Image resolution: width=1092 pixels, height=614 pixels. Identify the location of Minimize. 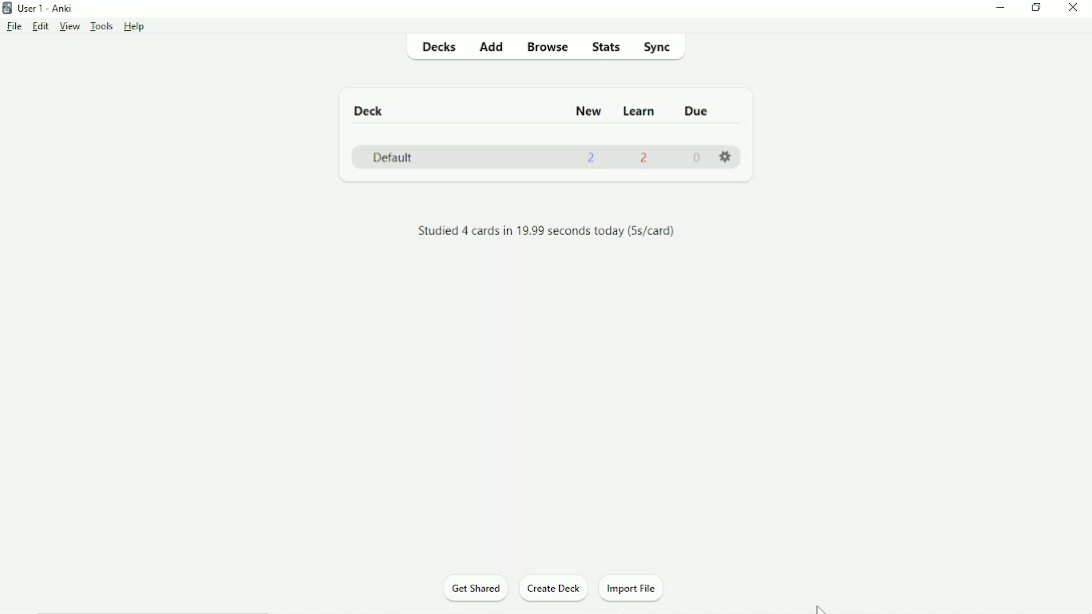
(1001, 8).